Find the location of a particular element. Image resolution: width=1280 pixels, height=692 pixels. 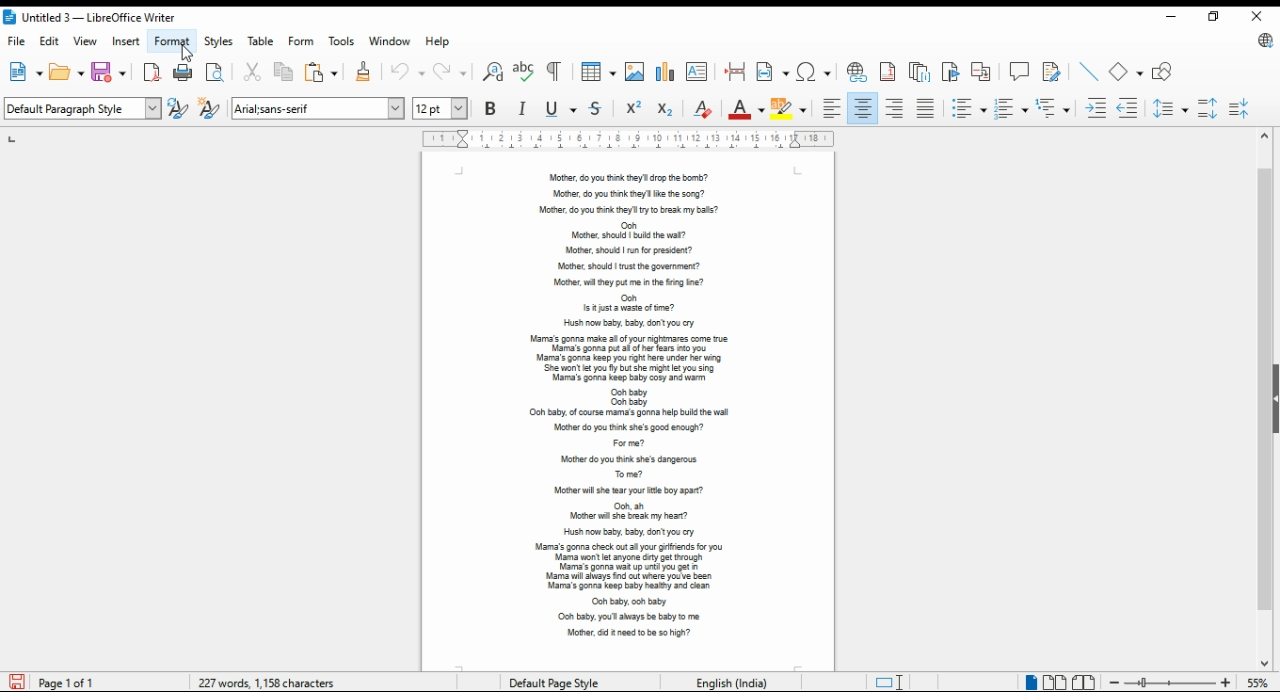

show track changes functions is located at coordinates (1052, 72).